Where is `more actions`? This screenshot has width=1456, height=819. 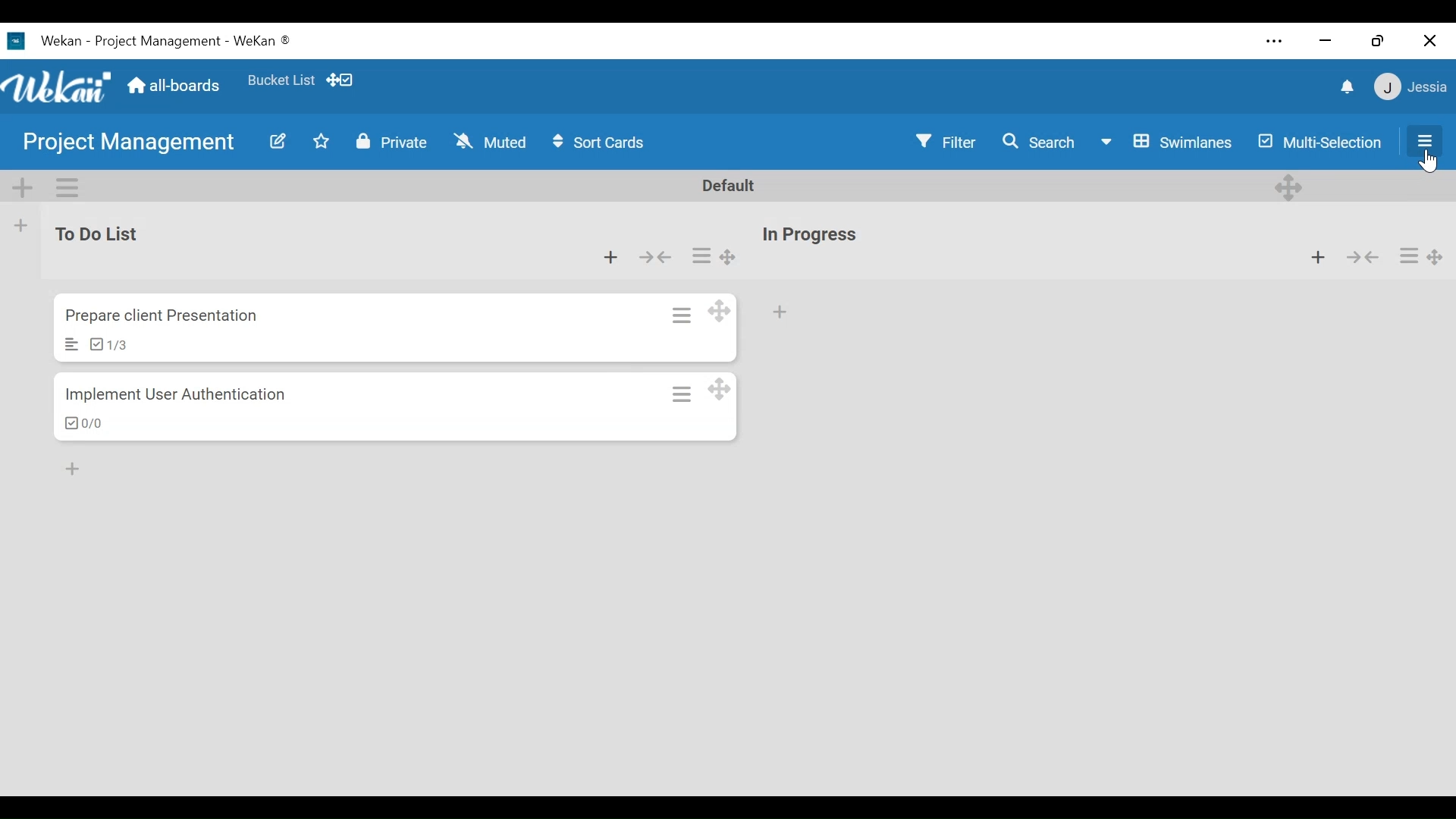
more actions is located at coordinates (1410, 256).